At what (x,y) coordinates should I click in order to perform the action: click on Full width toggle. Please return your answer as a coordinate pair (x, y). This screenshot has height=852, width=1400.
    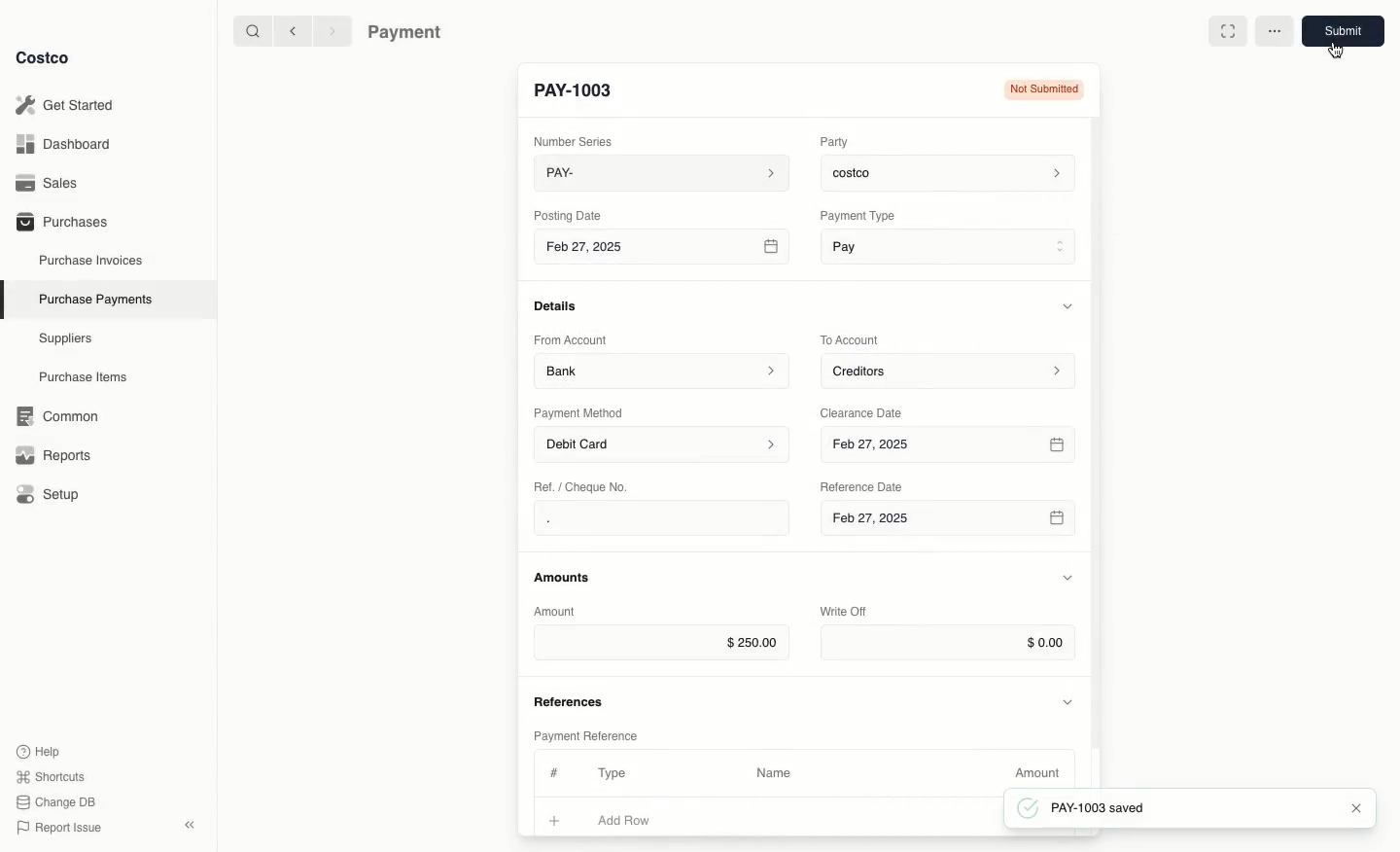
    Looking at the image, I should click on (1228, 31).